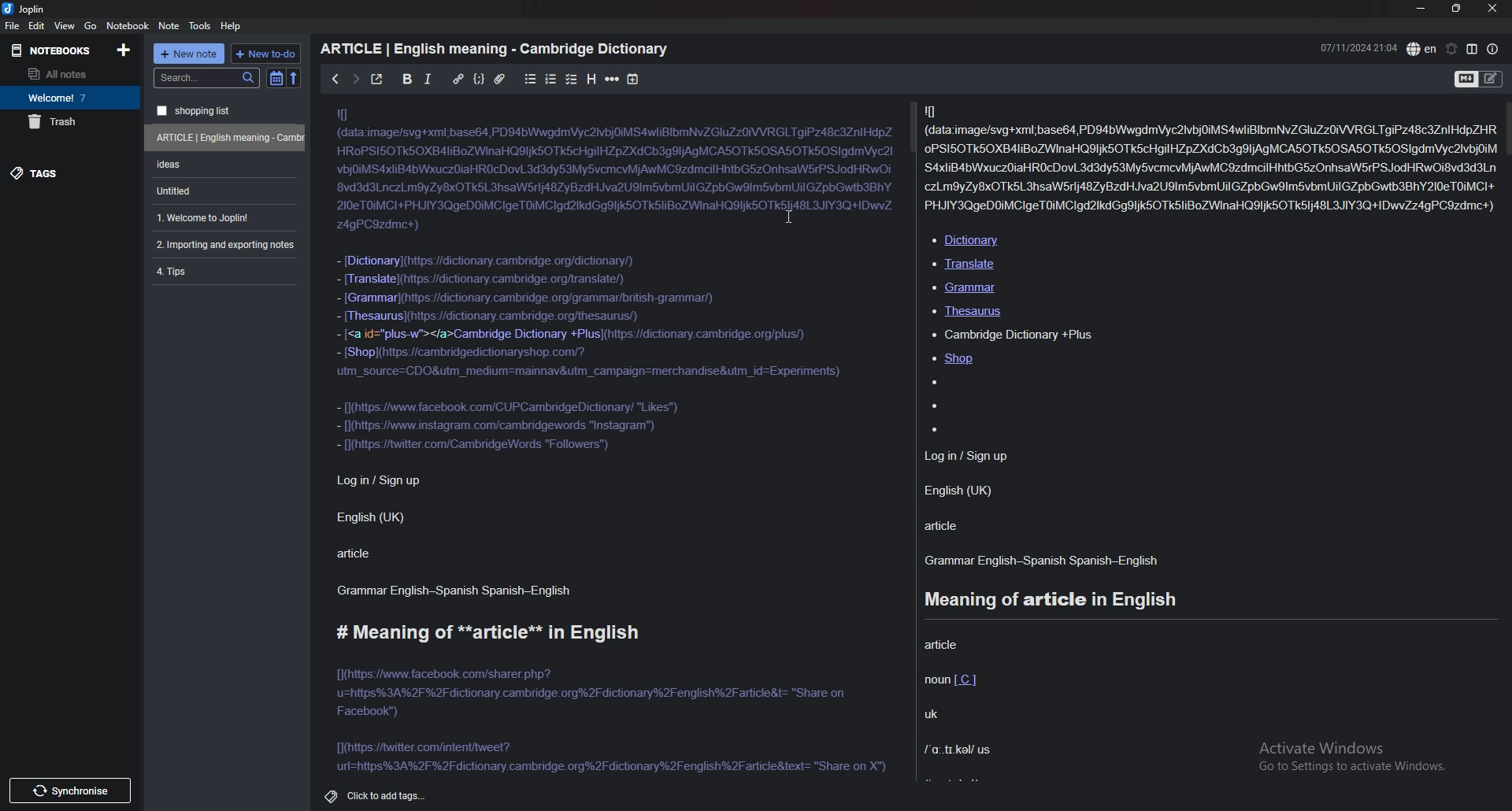 Image resolution: width=1512 pixels, height=811 pixels. What do you see at coordinates (231, 26) in the screenshot?
I see `help` at bounding box center [231, 26].